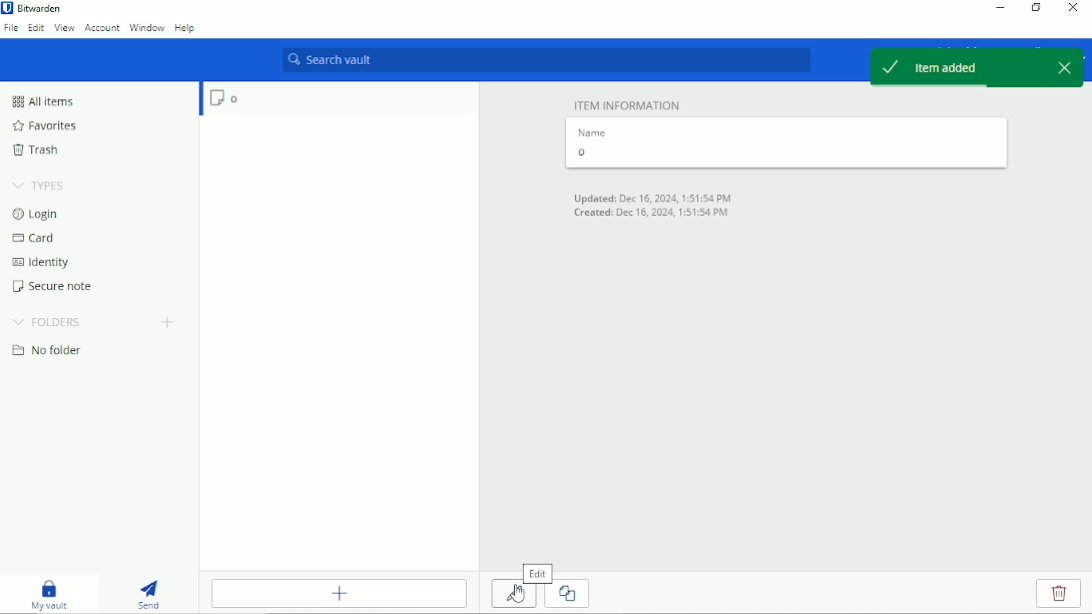 Image resolution: width=1092 pixels, height=614 pixels. I want to click on Created: Dec 16, 2024, 1:51:54 PM, so click(650, 214).